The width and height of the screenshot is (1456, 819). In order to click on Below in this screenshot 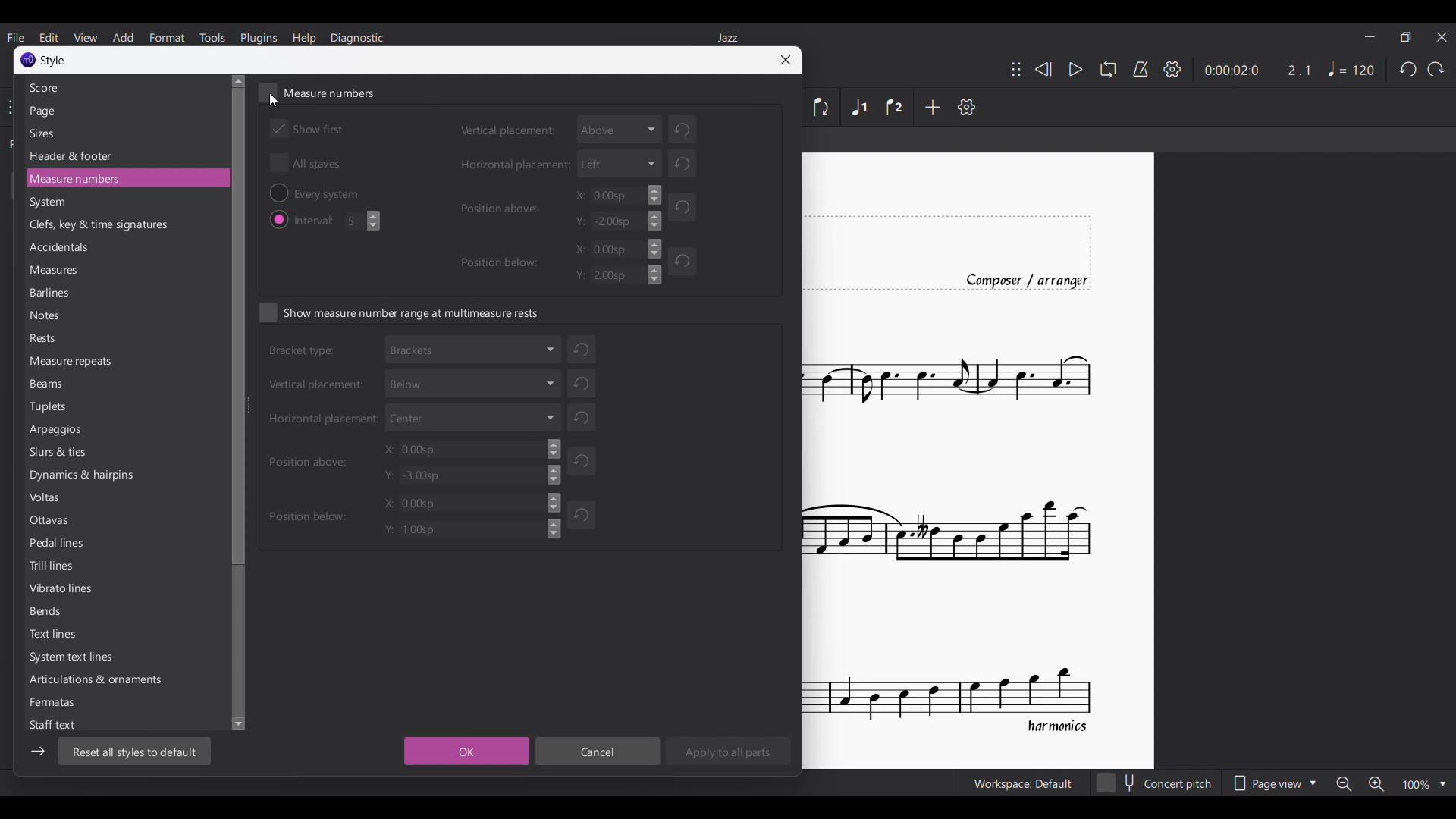, I will do `click(471, 381)`.